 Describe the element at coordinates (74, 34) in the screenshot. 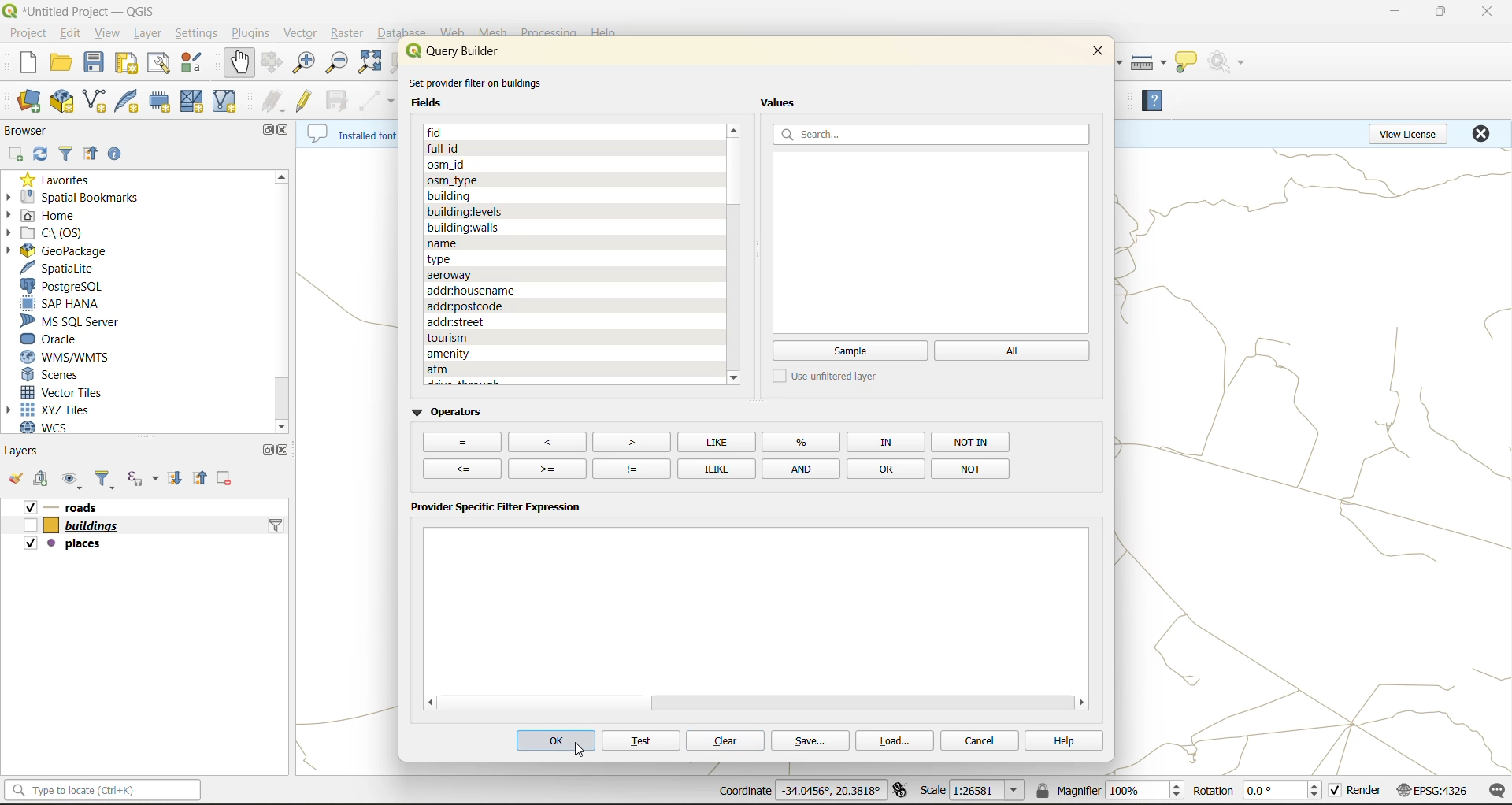

I see `edit` at that location.